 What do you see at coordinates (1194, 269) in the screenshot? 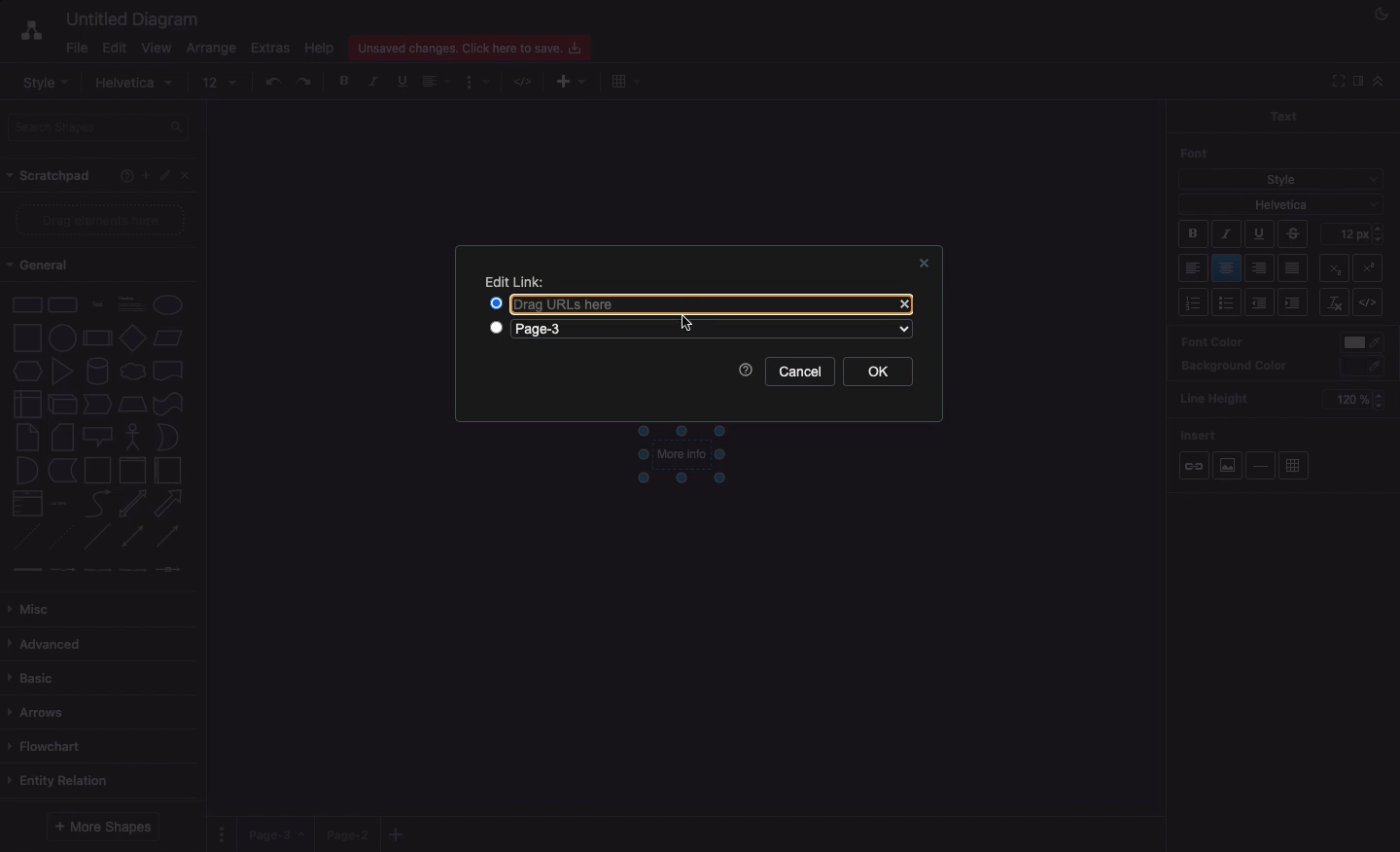
I see `Left aligned` at bounding box center [1194, 269].